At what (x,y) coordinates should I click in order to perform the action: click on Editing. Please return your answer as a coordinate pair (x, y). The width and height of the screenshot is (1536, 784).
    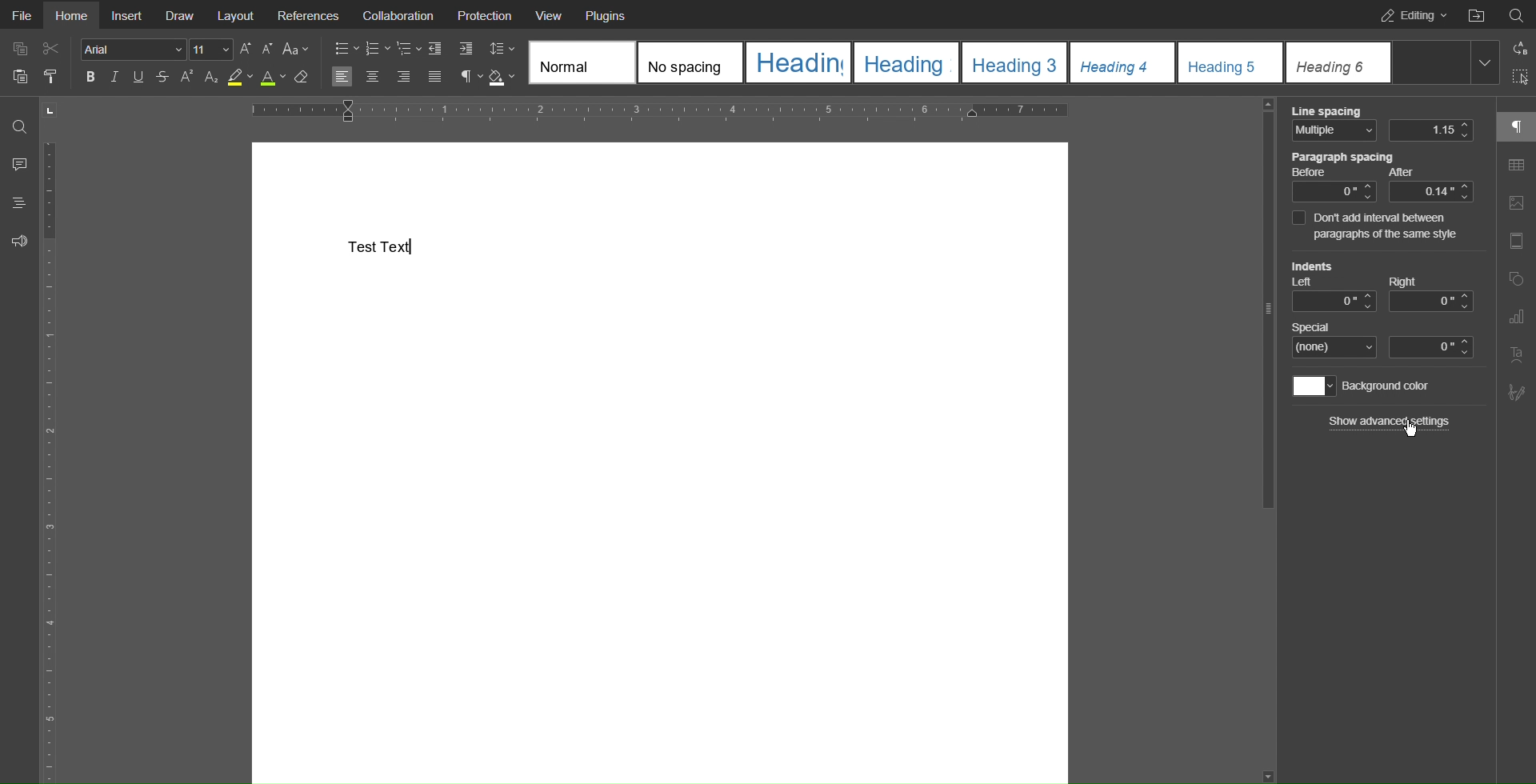
    Looking at the image, I should click on (1409, 14).